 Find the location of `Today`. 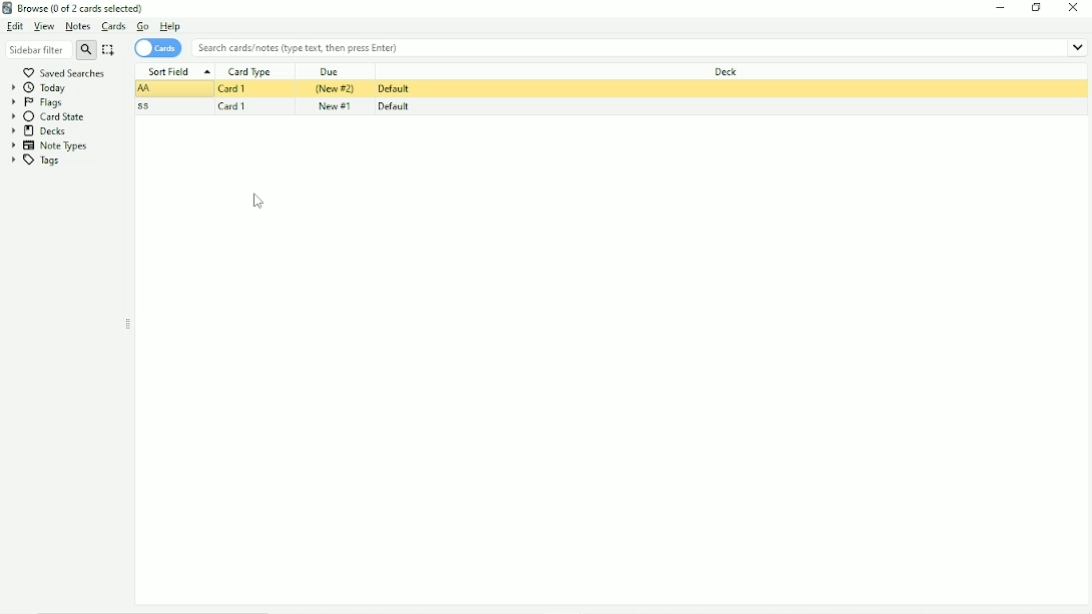

Today is located at coordinates (38, 88).